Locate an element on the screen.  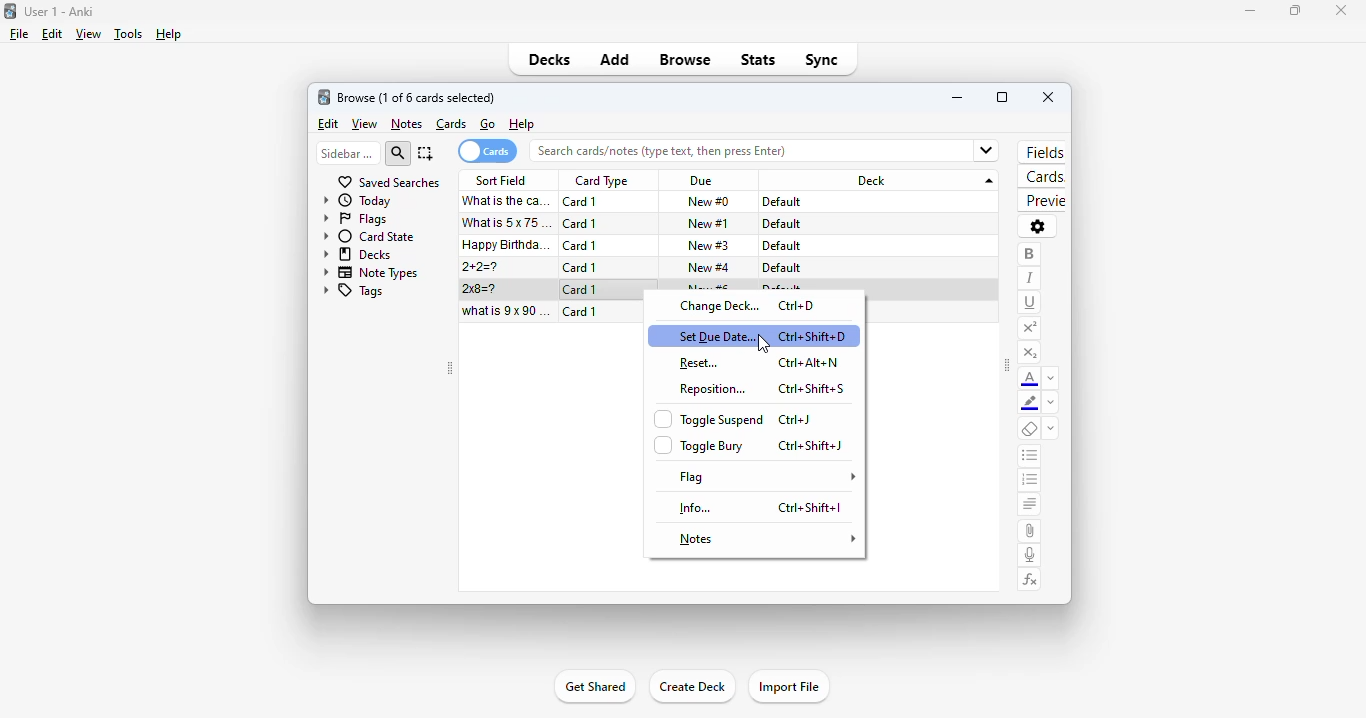
flags is located at coordinates (355, 220).